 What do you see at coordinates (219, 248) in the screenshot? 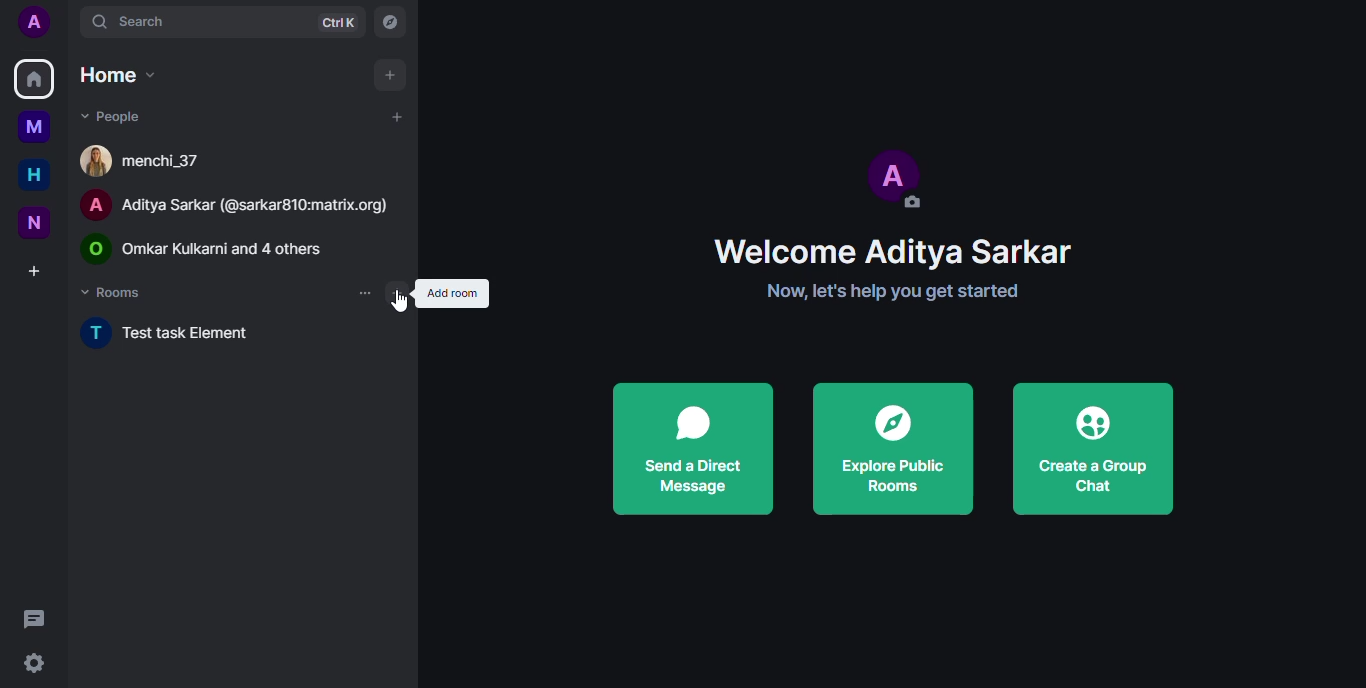
I see `© Omar Kulkarni and 4 others` at bounding box center [219, 248].